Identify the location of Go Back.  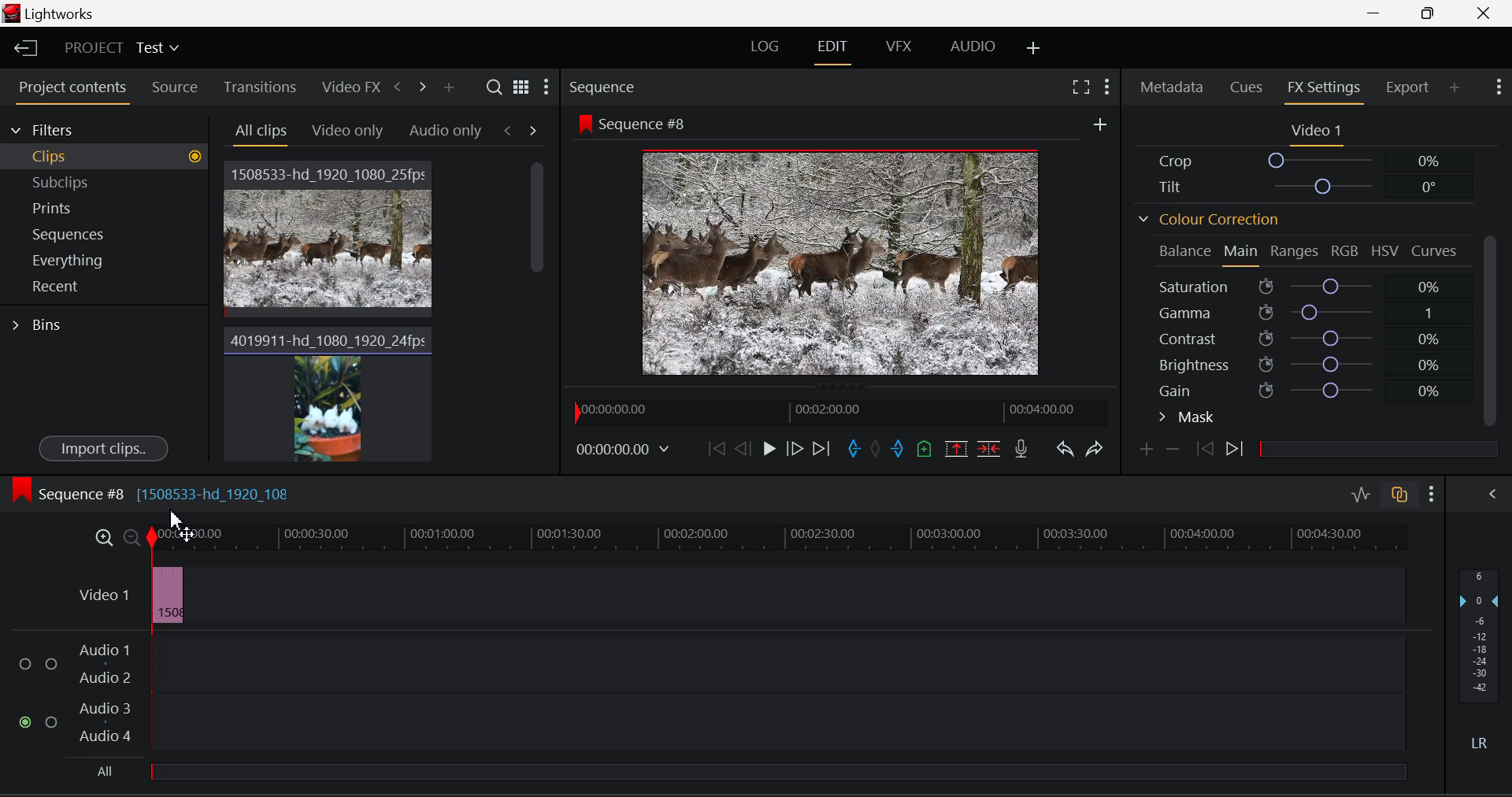
(743, 449).